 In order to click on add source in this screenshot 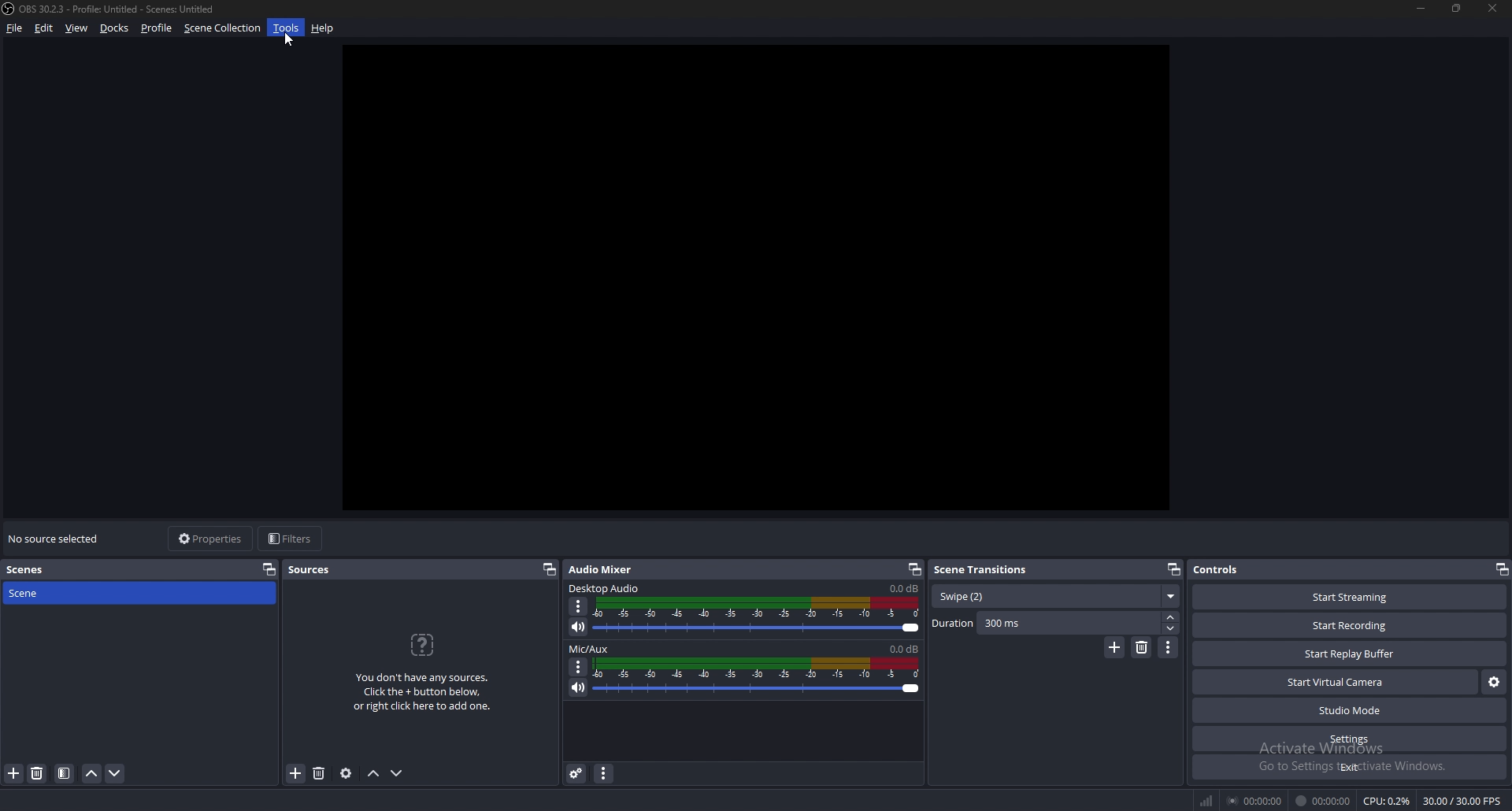, I will do `click(296, 774)`.